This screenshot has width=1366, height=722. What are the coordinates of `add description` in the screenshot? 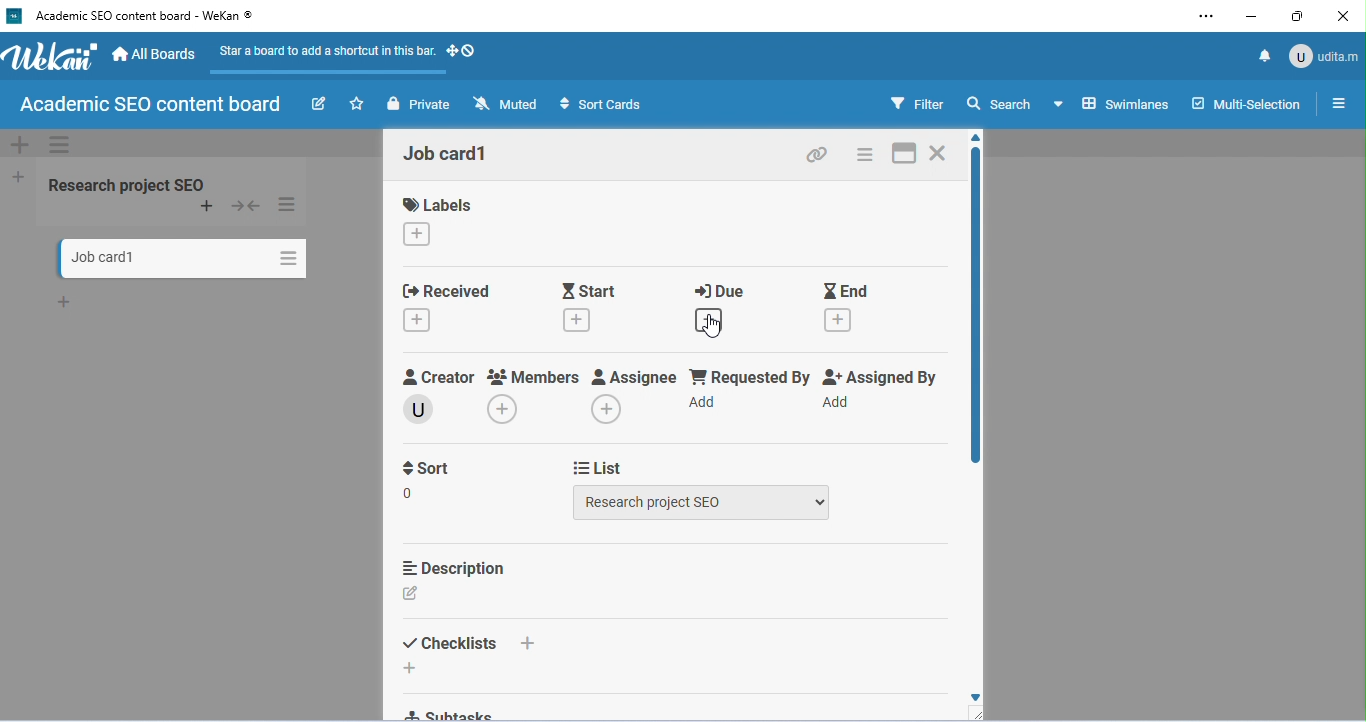 It's located at (413, 594).